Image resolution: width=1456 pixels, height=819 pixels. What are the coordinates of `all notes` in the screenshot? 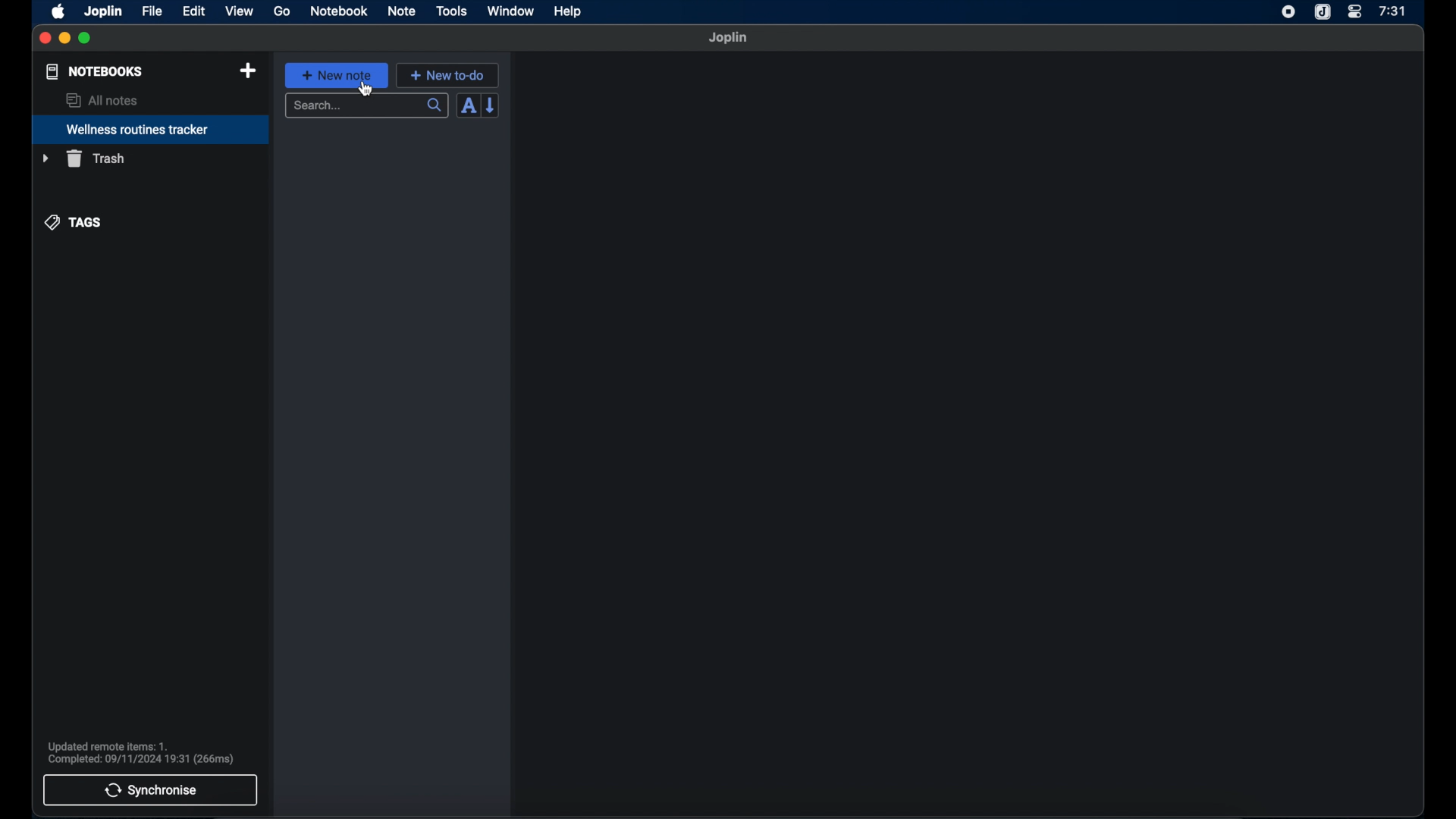 It's located at (101, 100).